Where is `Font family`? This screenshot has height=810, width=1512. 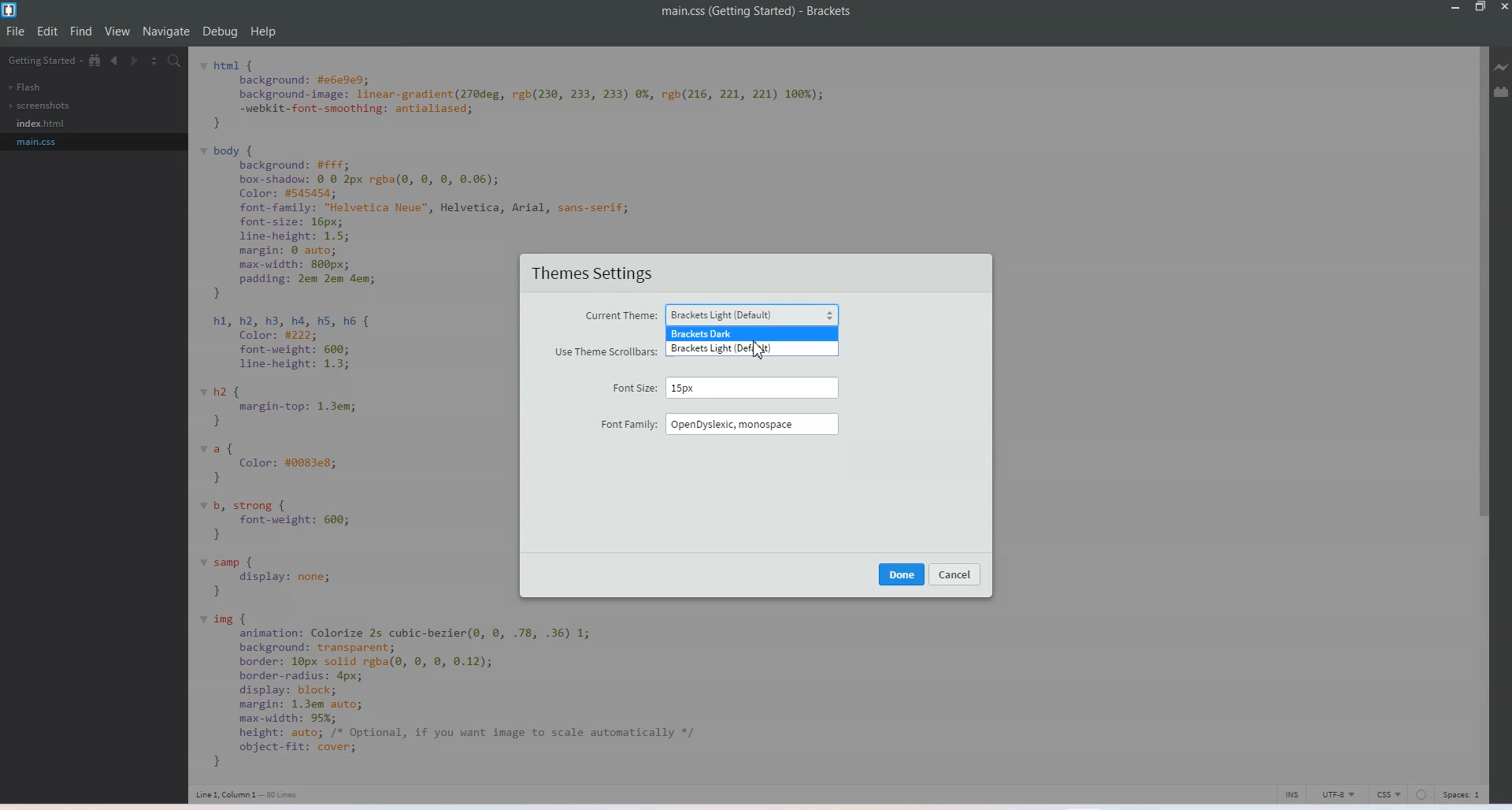 Font family is located at coordinates (720, 425).